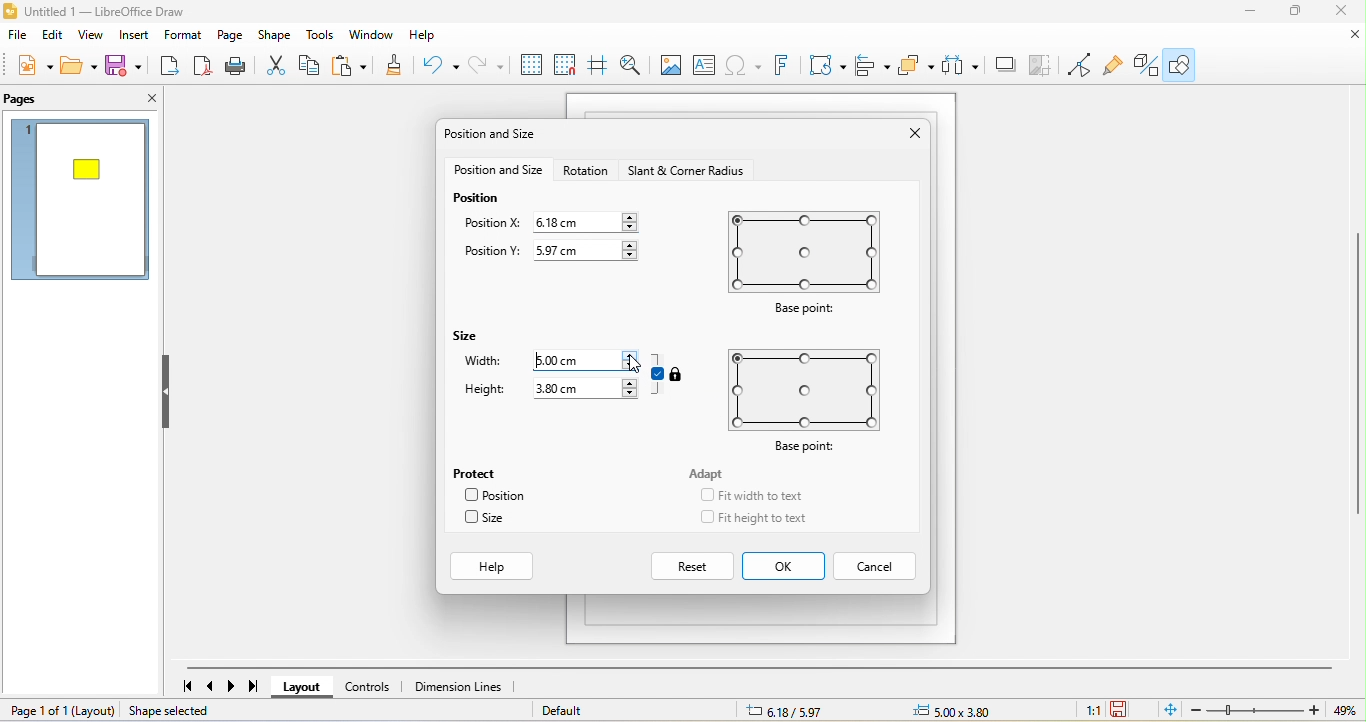  Describe the element at coordinates (1093, 712) in the screenshot. I see `1:1` at that location.